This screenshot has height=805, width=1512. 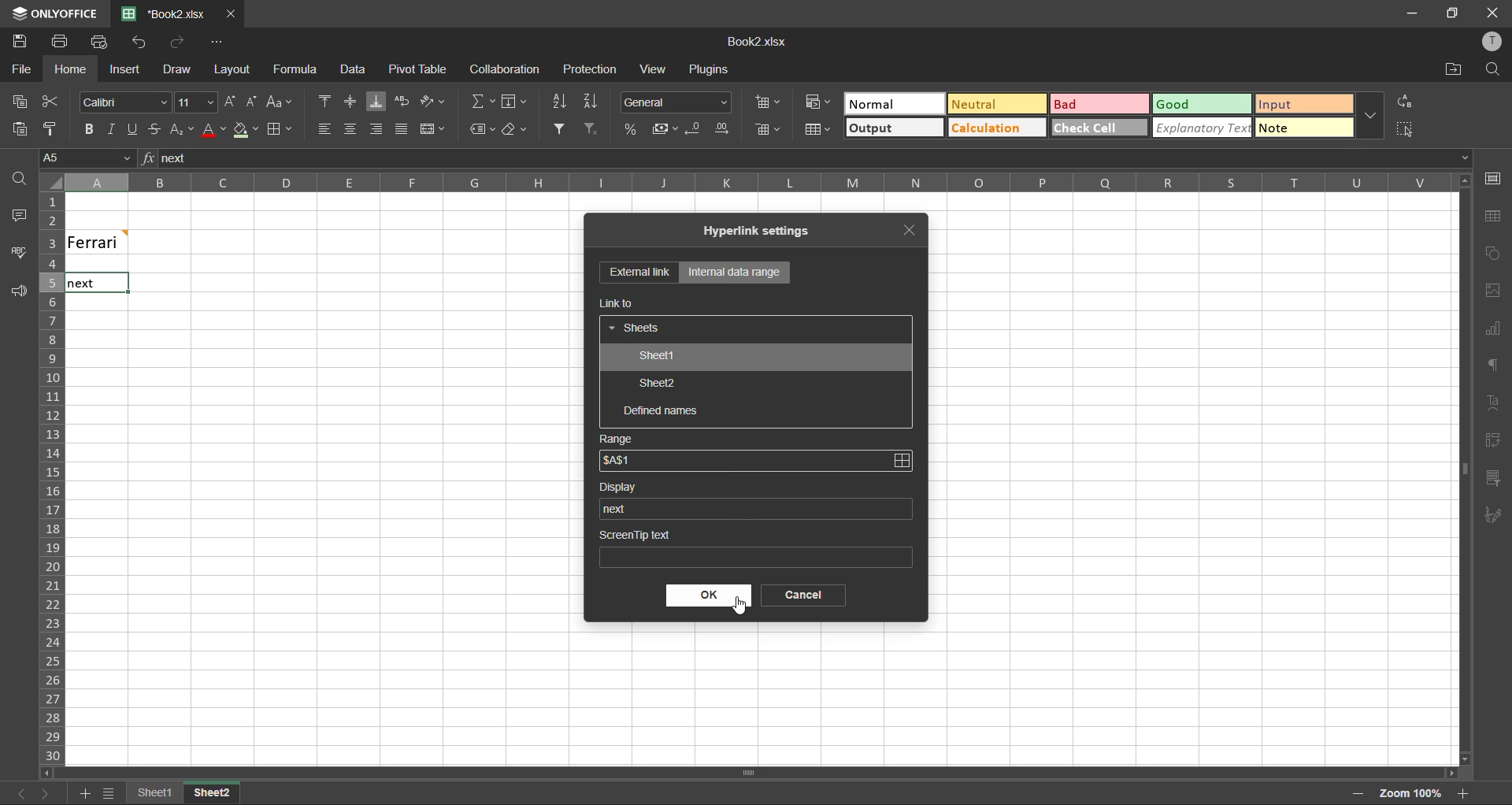 I want to click on good, so click(x=1200, y=106).